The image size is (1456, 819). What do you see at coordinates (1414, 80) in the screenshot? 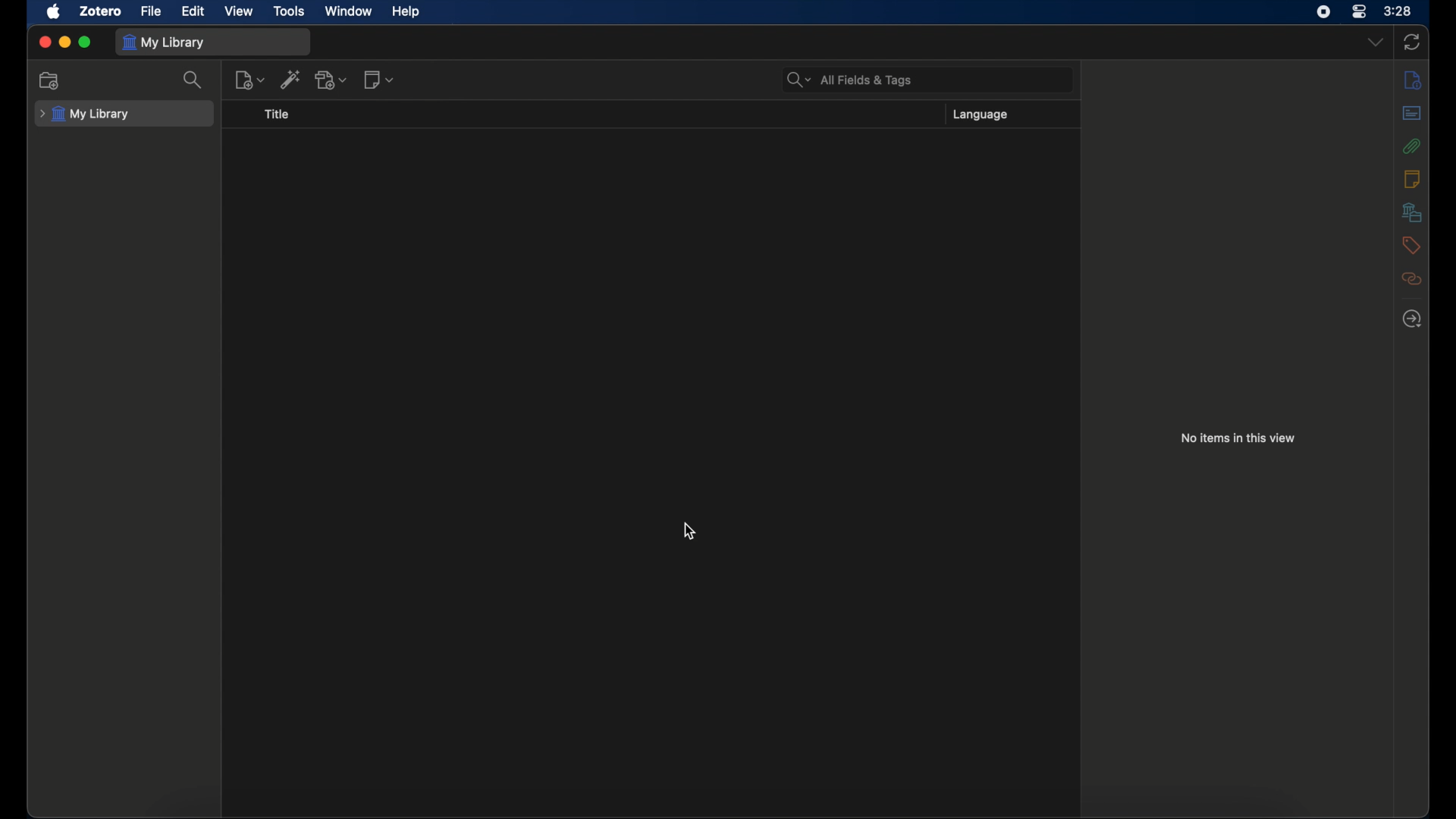
I see `info` at bounding box center [1414, 80].